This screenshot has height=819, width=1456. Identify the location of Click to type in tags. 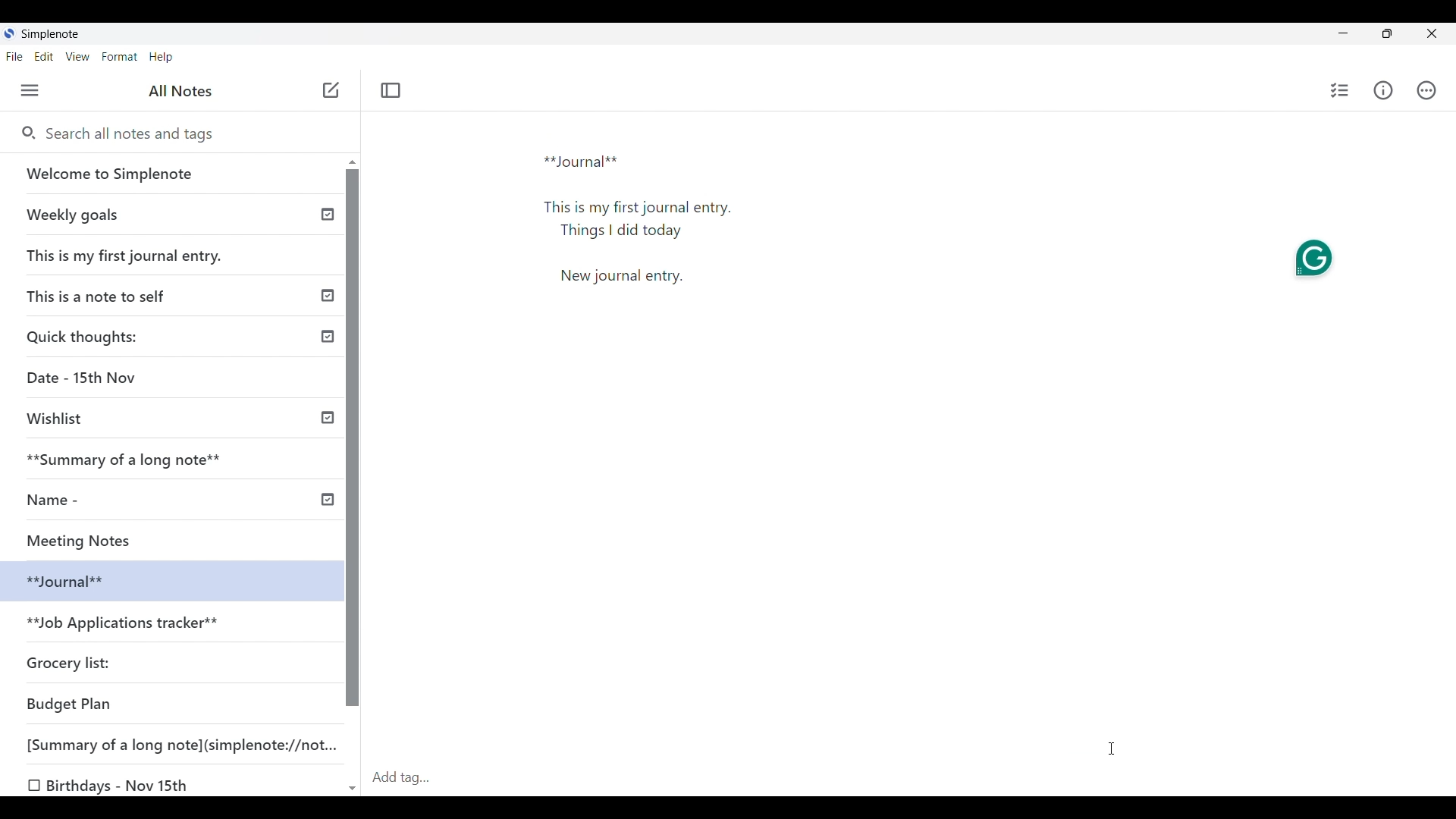
(911, 779).